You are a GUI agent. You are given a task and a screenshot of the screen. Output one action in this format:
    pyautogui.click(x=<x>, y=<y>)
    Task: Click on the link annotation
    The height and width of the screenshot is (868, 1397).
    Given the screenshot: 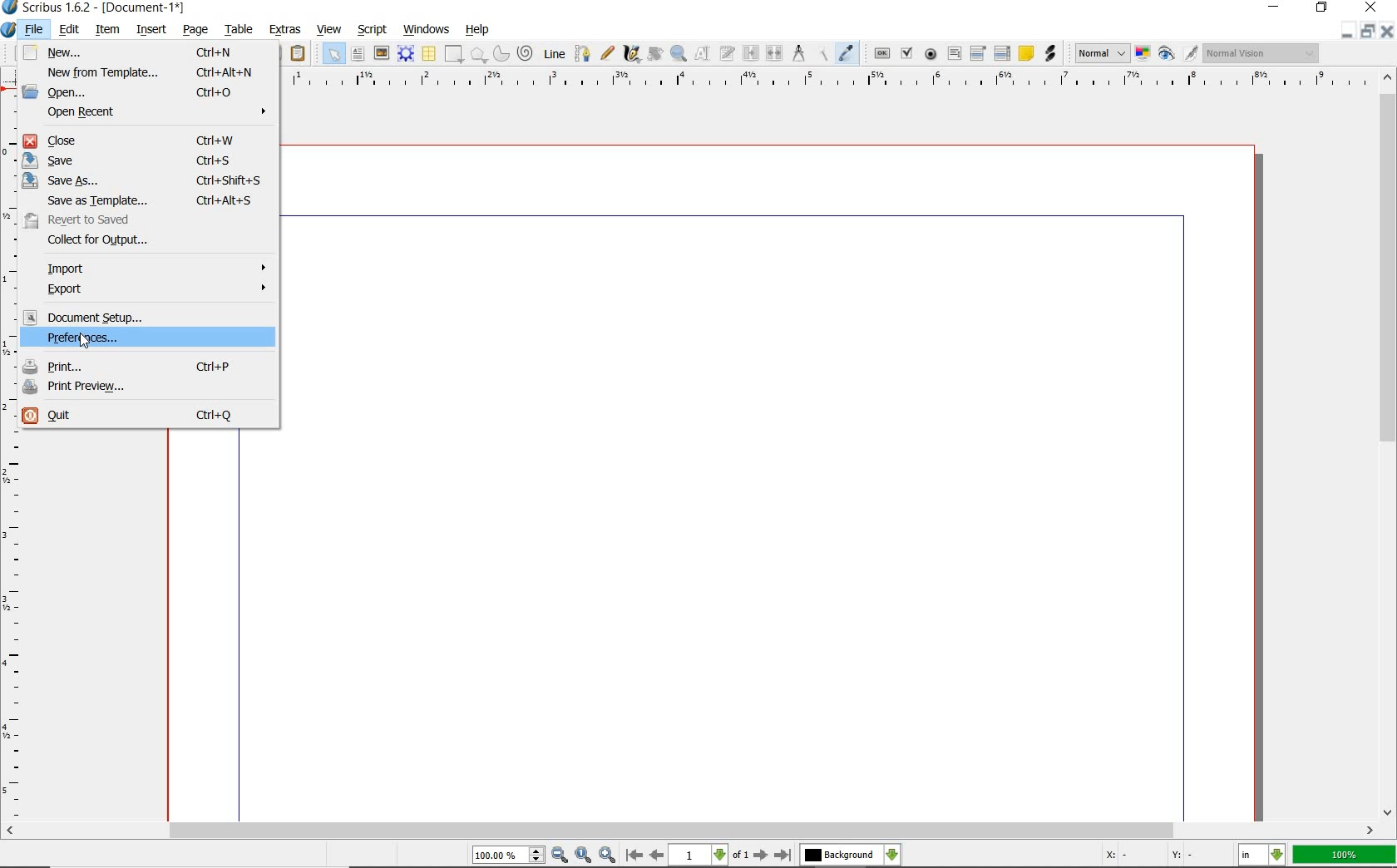 What is the action you would take?
    pyautogui.click(x=1050, y=52)
    